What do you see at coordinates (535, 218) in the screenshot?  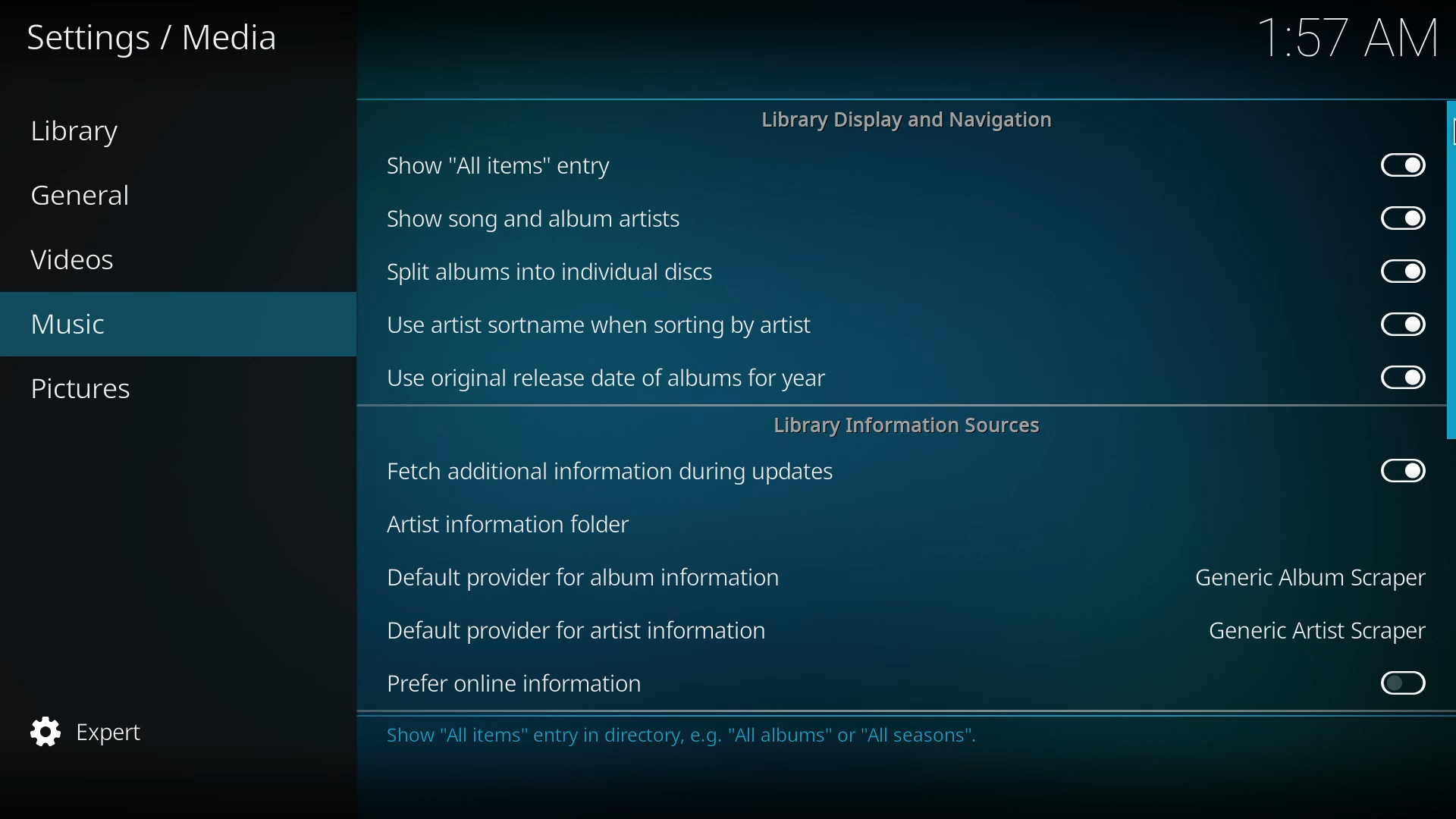 I see `show song and album artists` at bounding box center [535, 218].